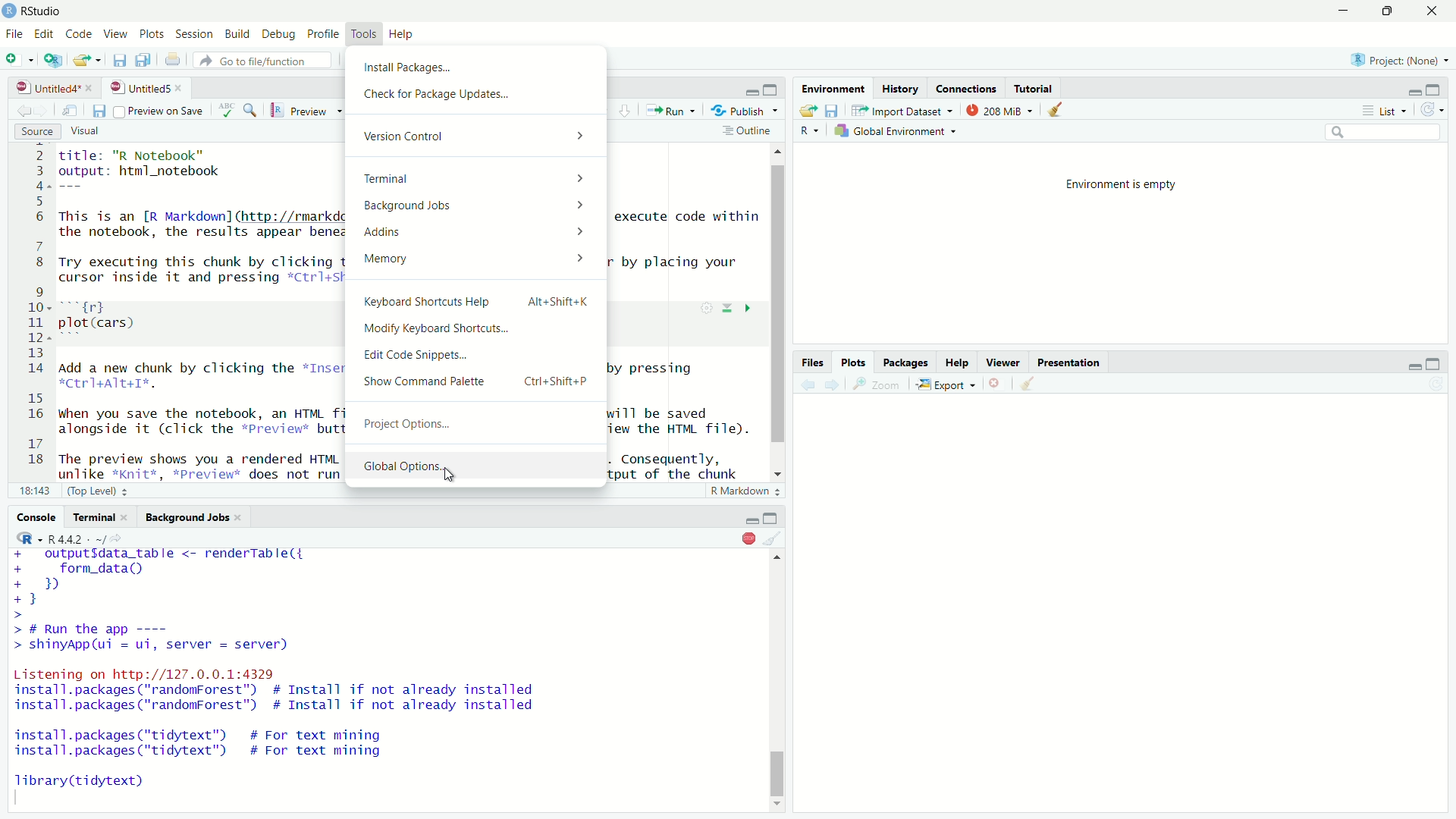 This screenshot has height=819, width=1456. Describe the element at coordinates (88, 60) in the screenshot. I see `open an existing file` at that location.